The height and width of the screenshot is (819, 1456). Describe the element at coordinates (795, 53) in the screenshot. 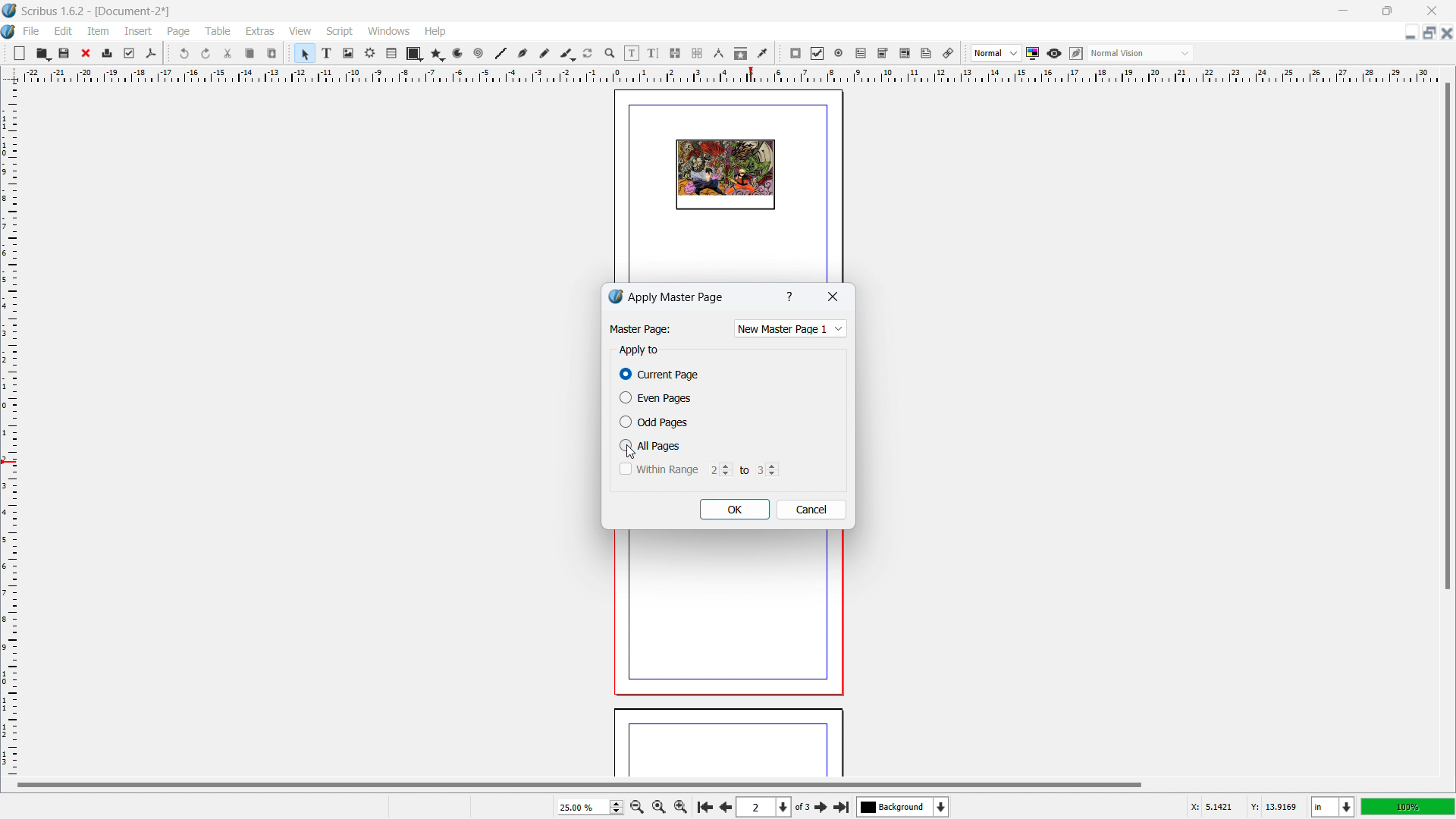

I see `pdf push button` at that location.